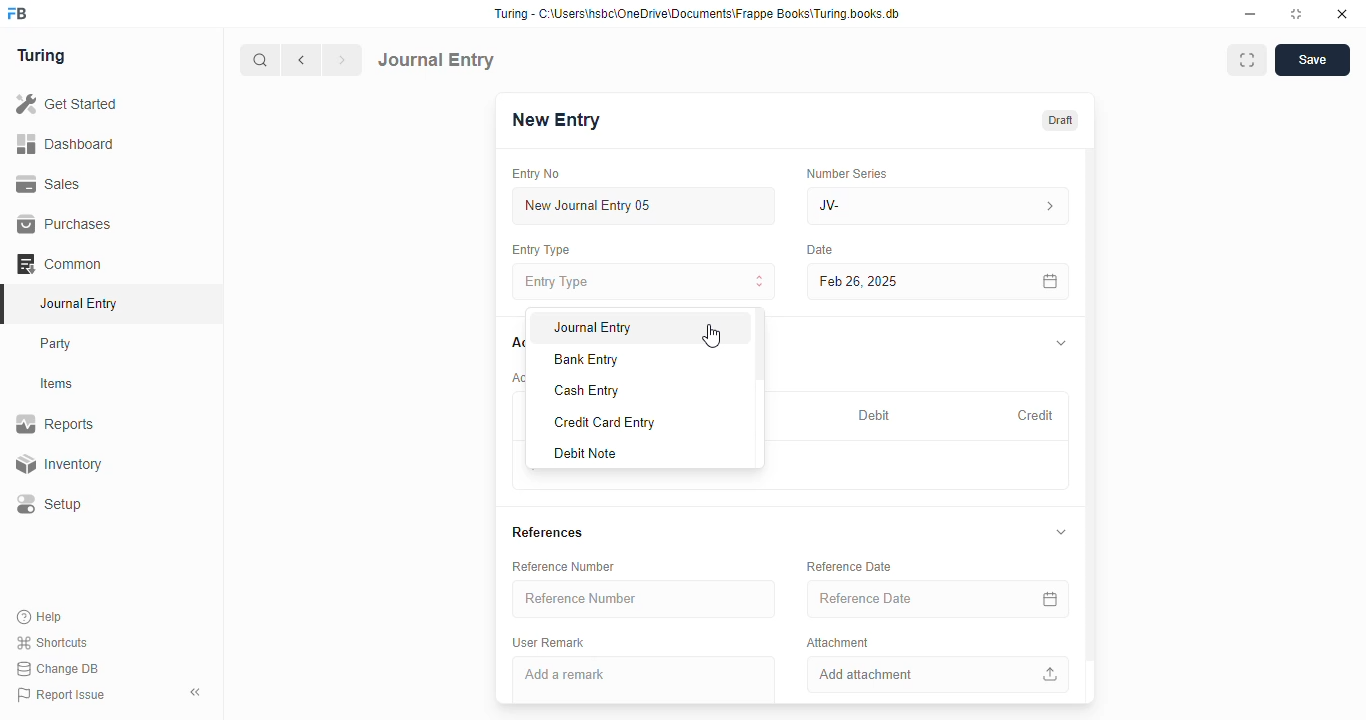  Describe the element at coordinates (645, 281) in the screenshot. I see `entry type` at that location.